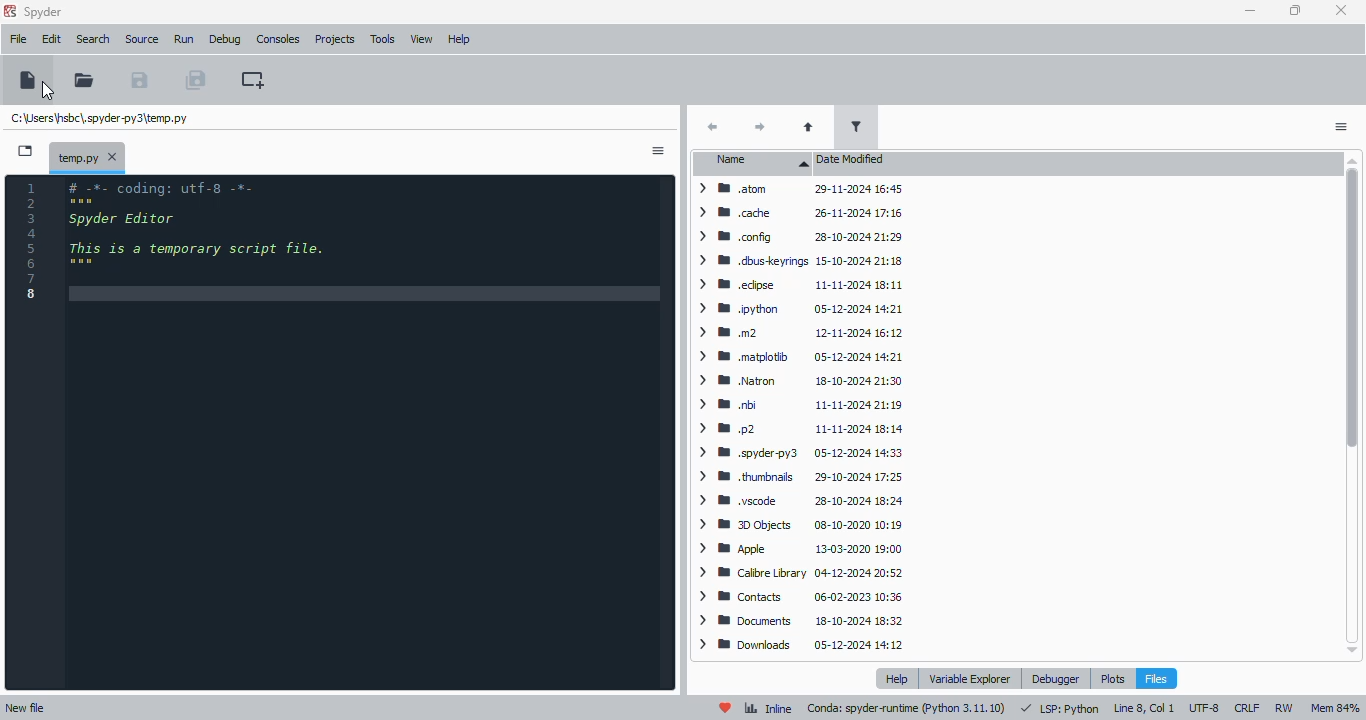 The height and width of the screenshot is (720, 1366). I want to click on tools, so click(382, 40).